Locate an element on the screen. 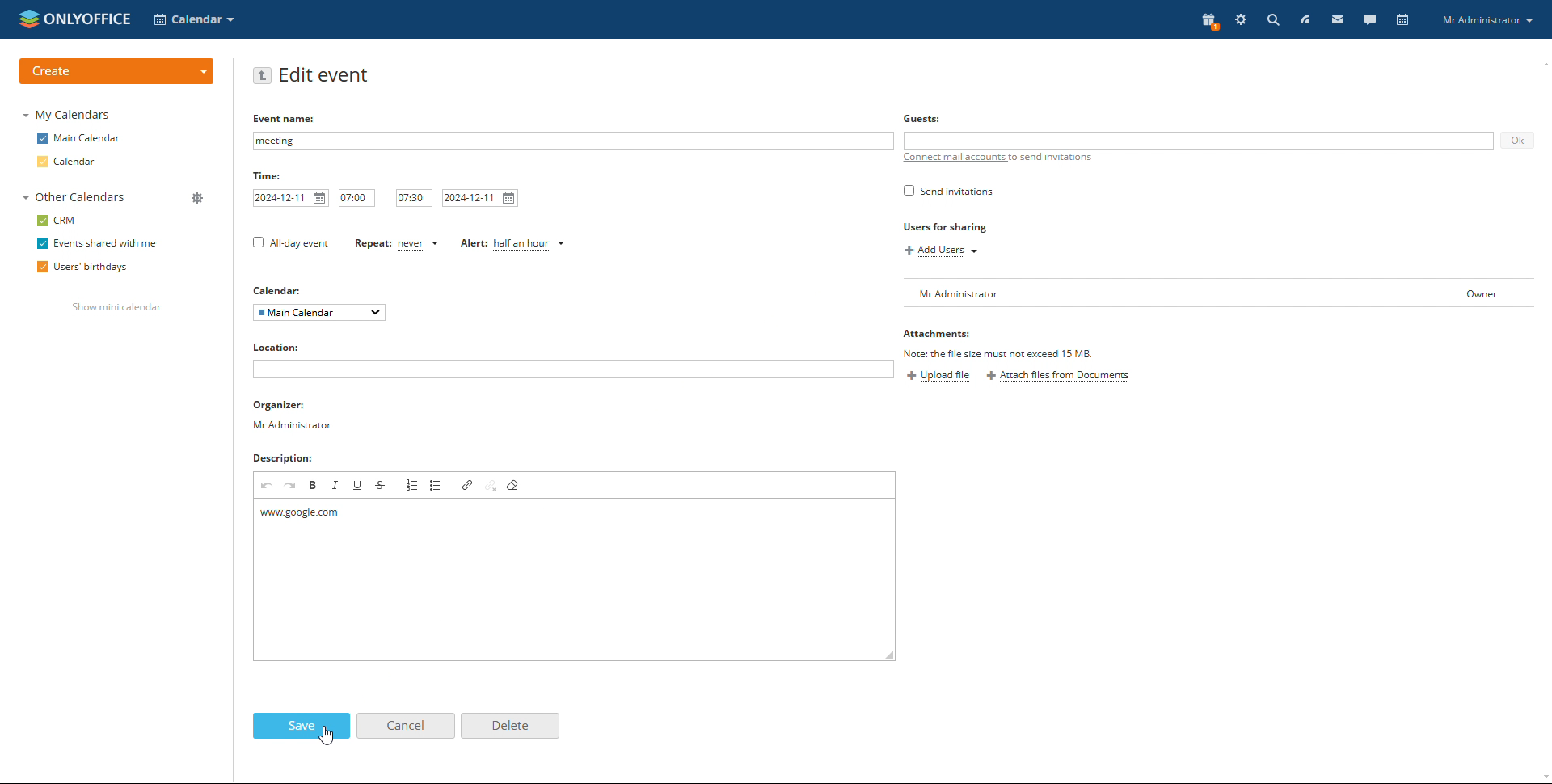  settings is located at coordinates (1242, 19).